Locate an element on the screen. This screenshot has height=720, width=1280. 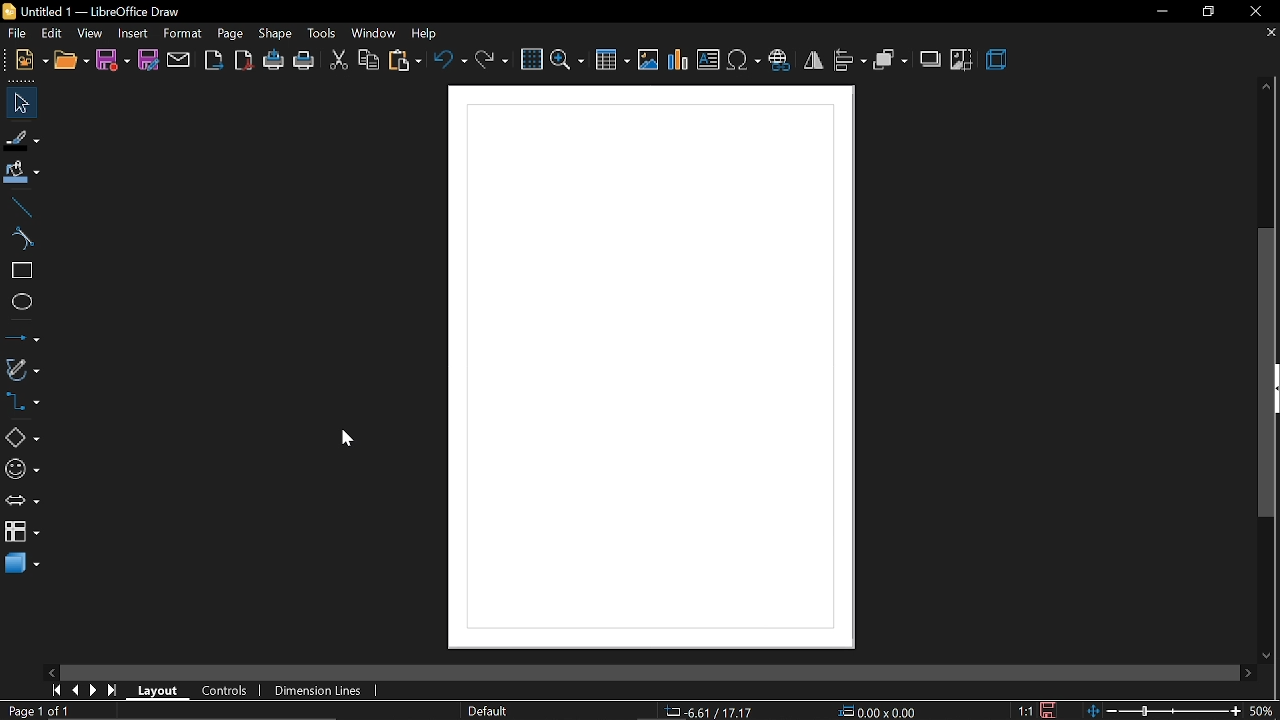
file is located at coordinates (31, 61).